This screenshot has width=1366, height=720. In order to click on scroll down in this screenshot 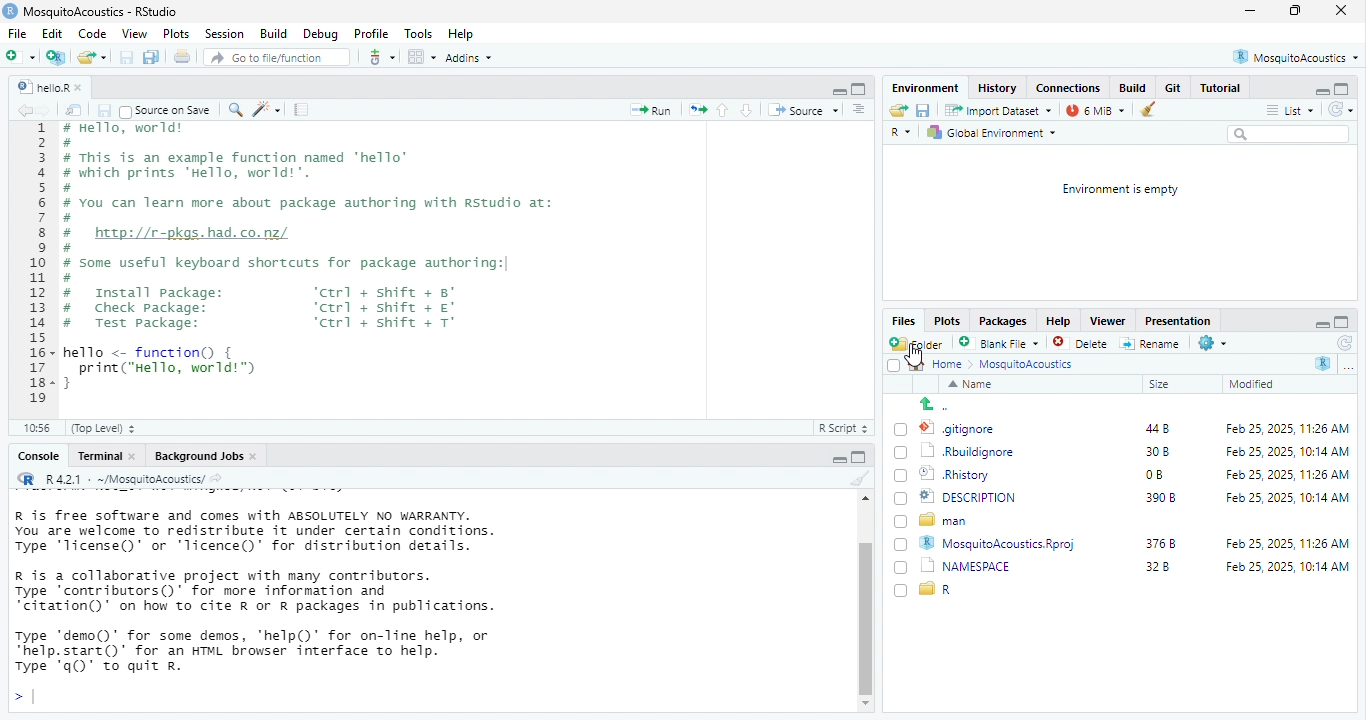, I will do `click(863, 704)`.